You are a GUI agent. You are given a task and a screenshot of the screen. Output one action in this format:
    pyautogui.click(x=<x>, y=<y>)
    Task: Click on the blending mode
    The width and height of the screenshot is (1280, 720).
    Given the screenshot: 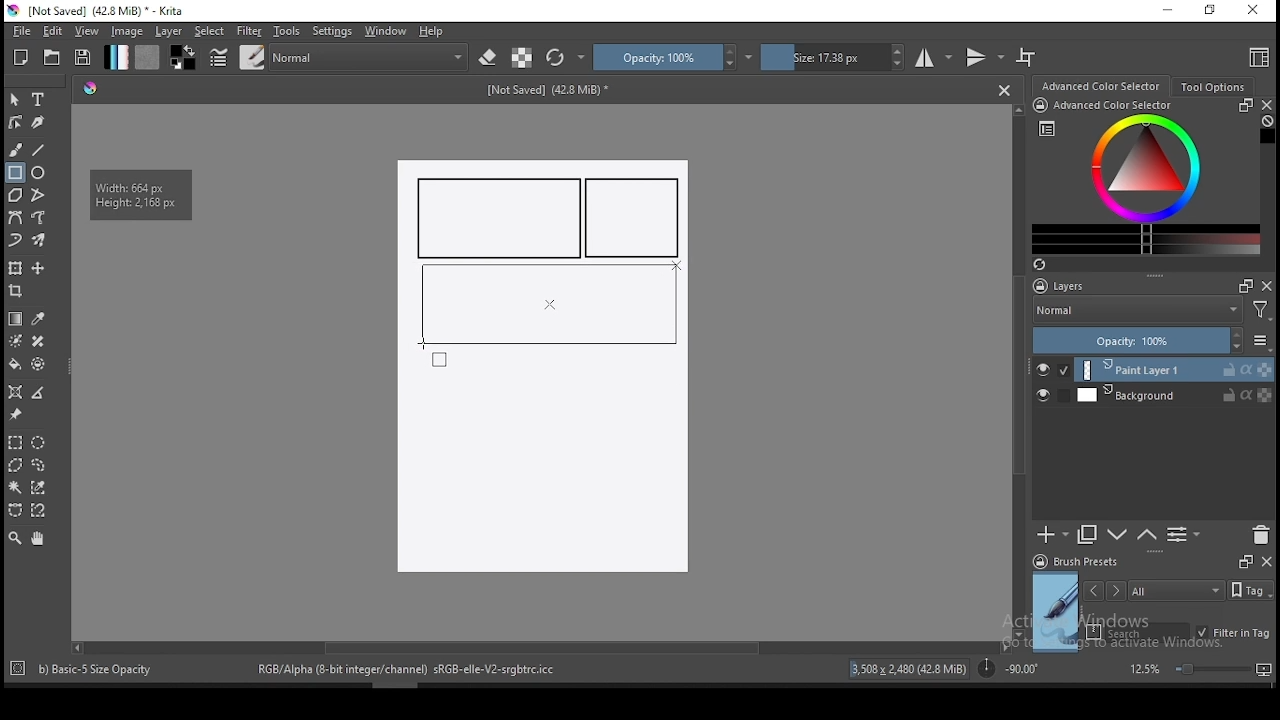 What is the action you would take?
    pyautogui.click(x=1136, y=312)
    